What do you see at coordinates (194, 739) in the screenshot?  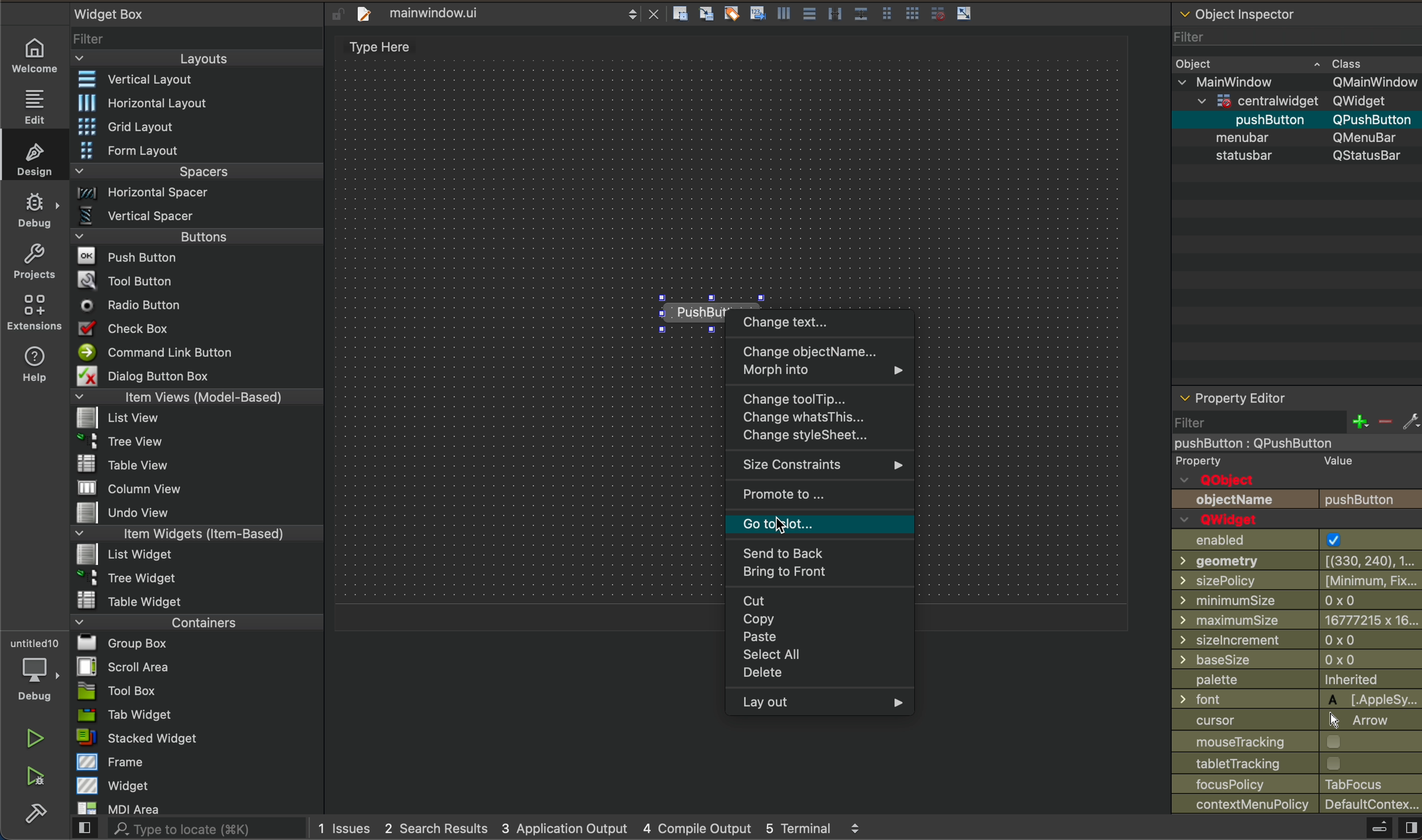 I see `stacked widget` at bounding box center [194, 739].